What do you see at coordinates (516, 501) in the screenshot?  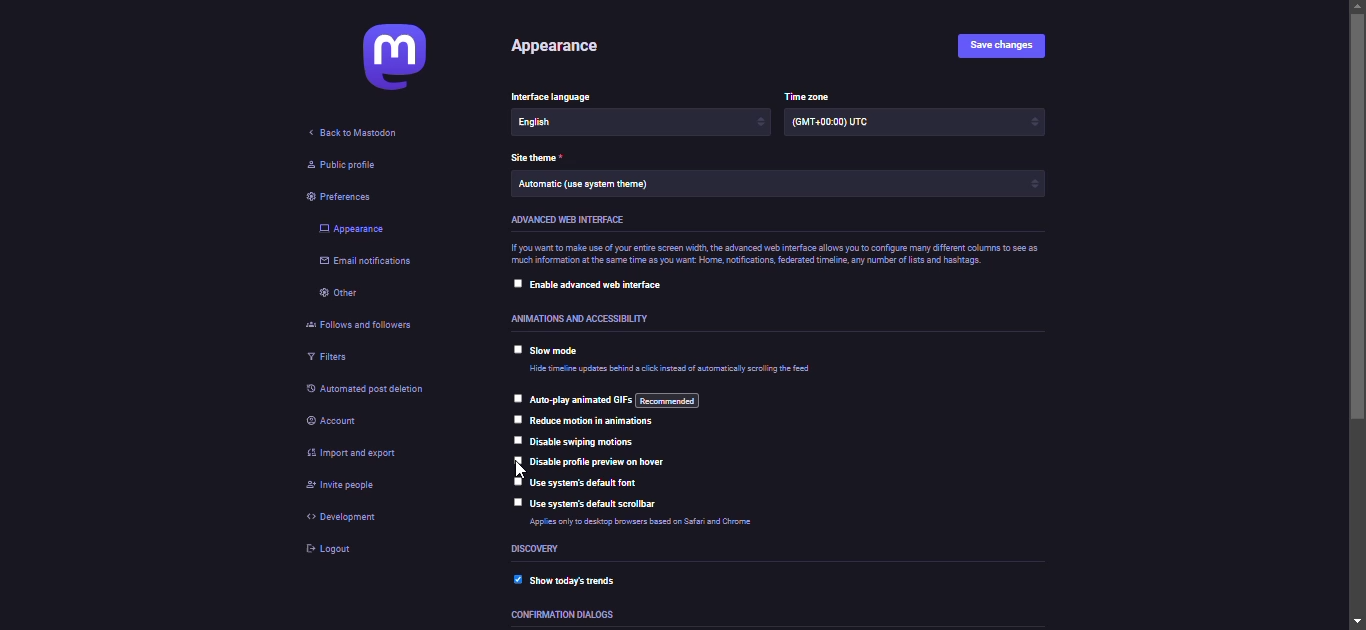 I see `click to select` at bounding box center [516, 501].